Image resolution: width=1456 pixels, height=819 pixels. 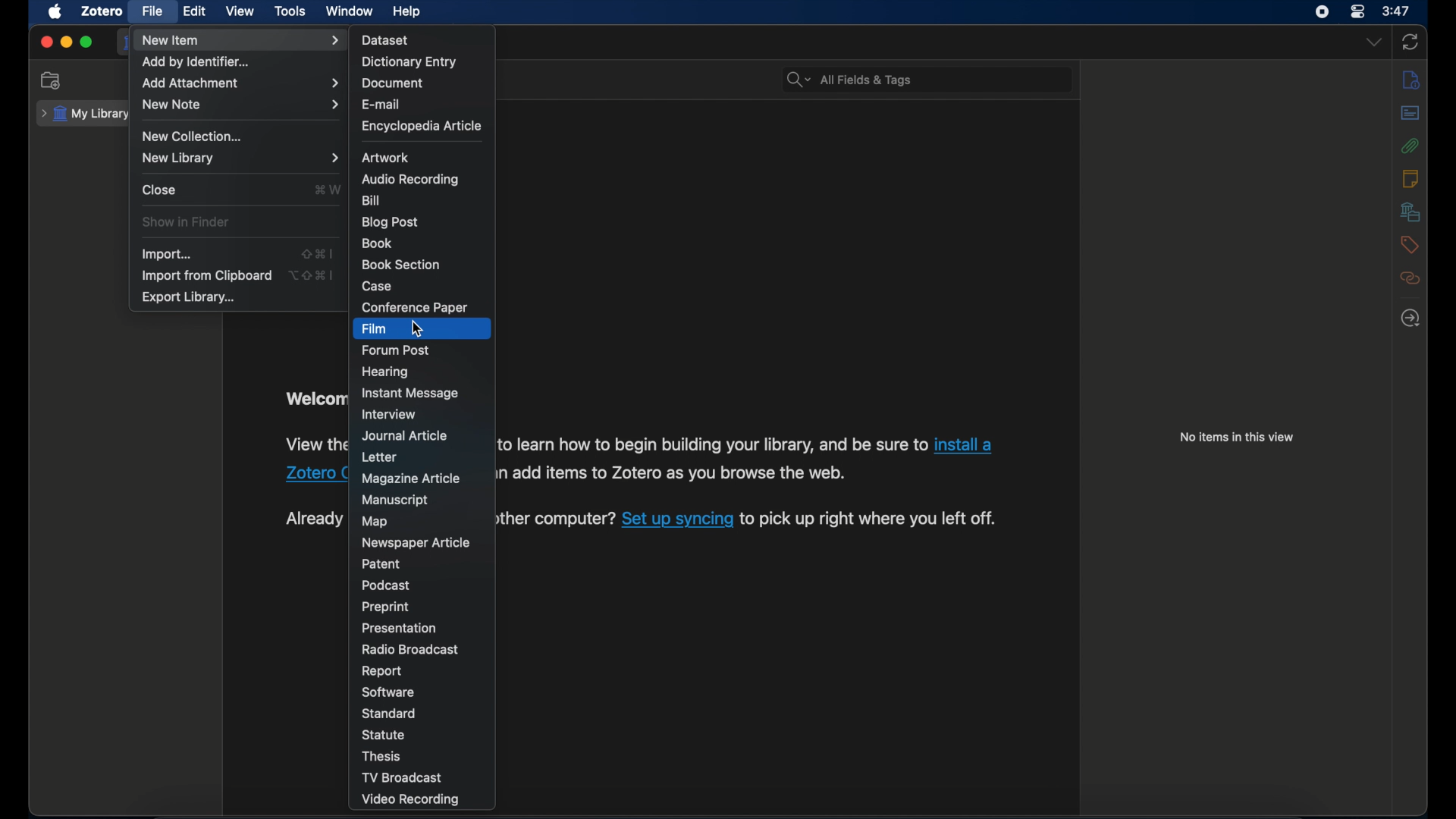 What do you see at coordinates (160, 190) in the screenshot?
I see `close` at bounding box center [160, 190].